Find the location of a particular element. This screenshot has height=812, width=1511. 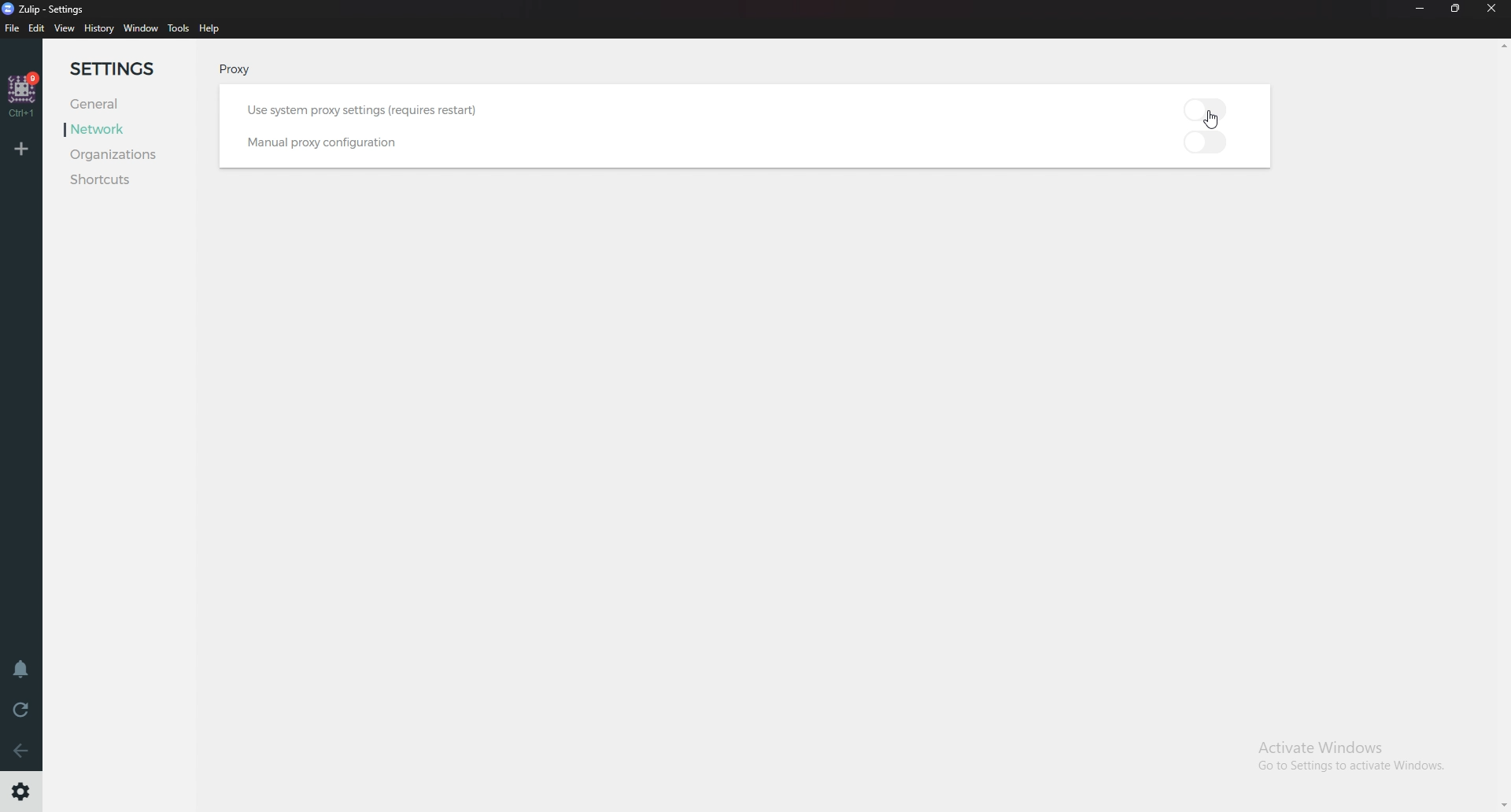

toggle is located at coordinates (1212, 142).